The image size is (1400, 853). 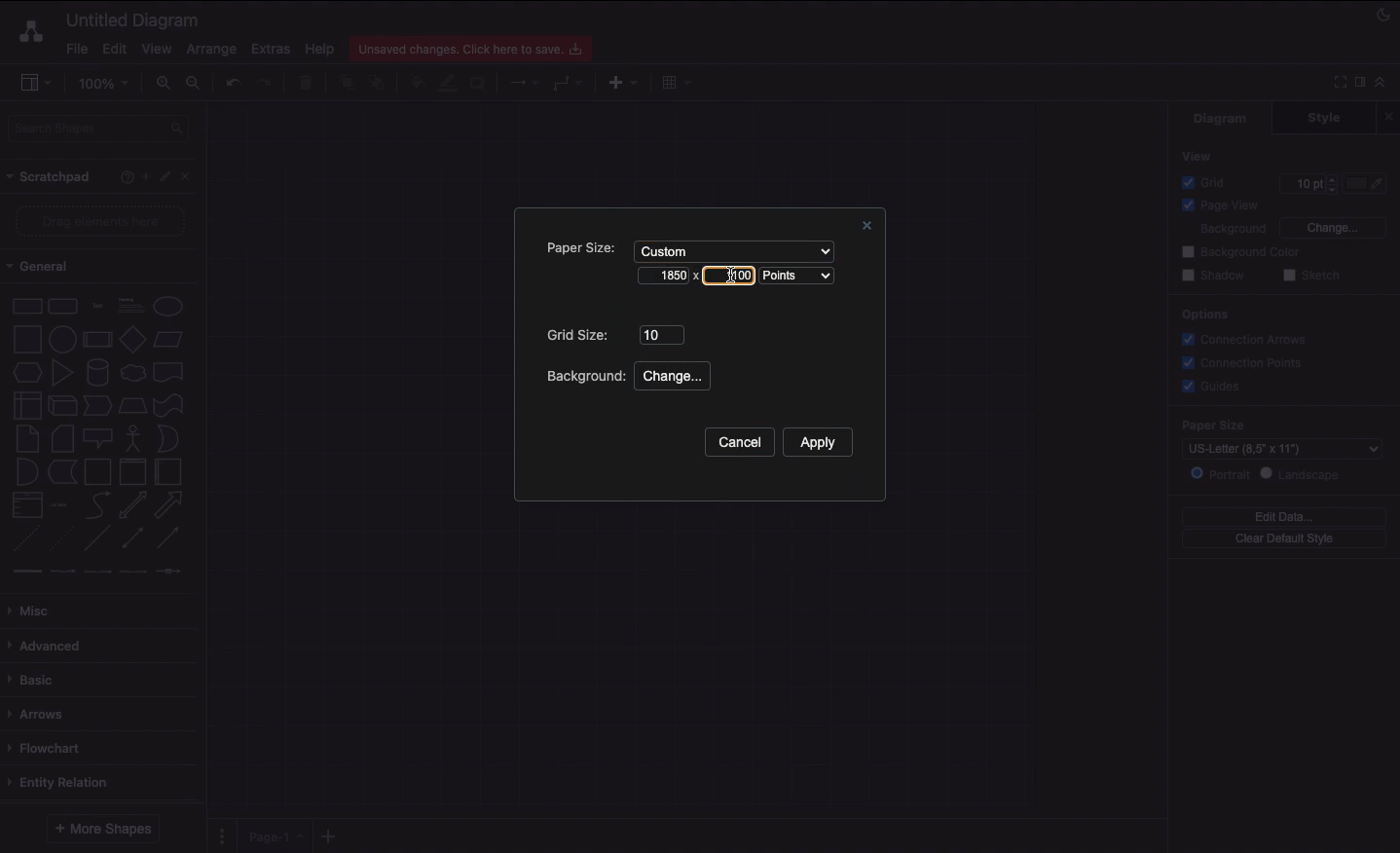 What do you see at coordinates (123, 176) in the screenshot?
I see `Help` at bounding box center [123, 176].